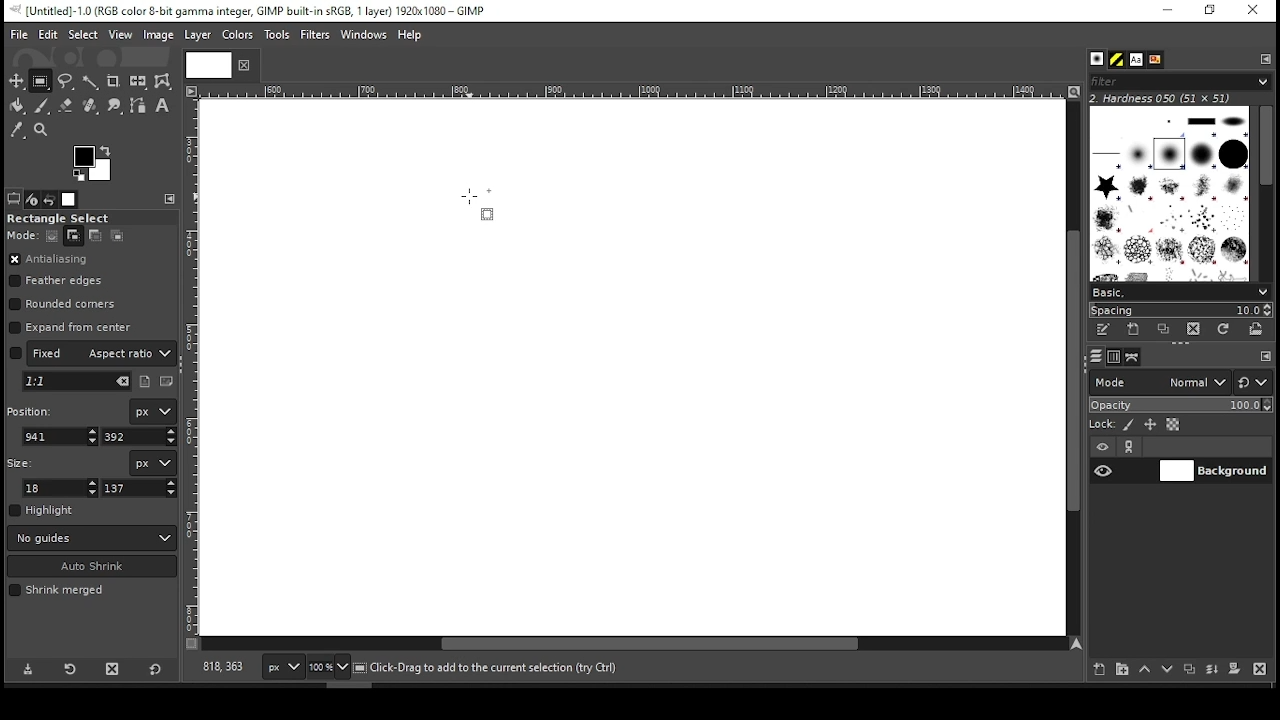 Image resolution: width=1280 pixels, height=720 pixels. What do you see at coordinates (1095, 667) in the screenshot?
I see `new layer` at bounding box center [1095, 667].